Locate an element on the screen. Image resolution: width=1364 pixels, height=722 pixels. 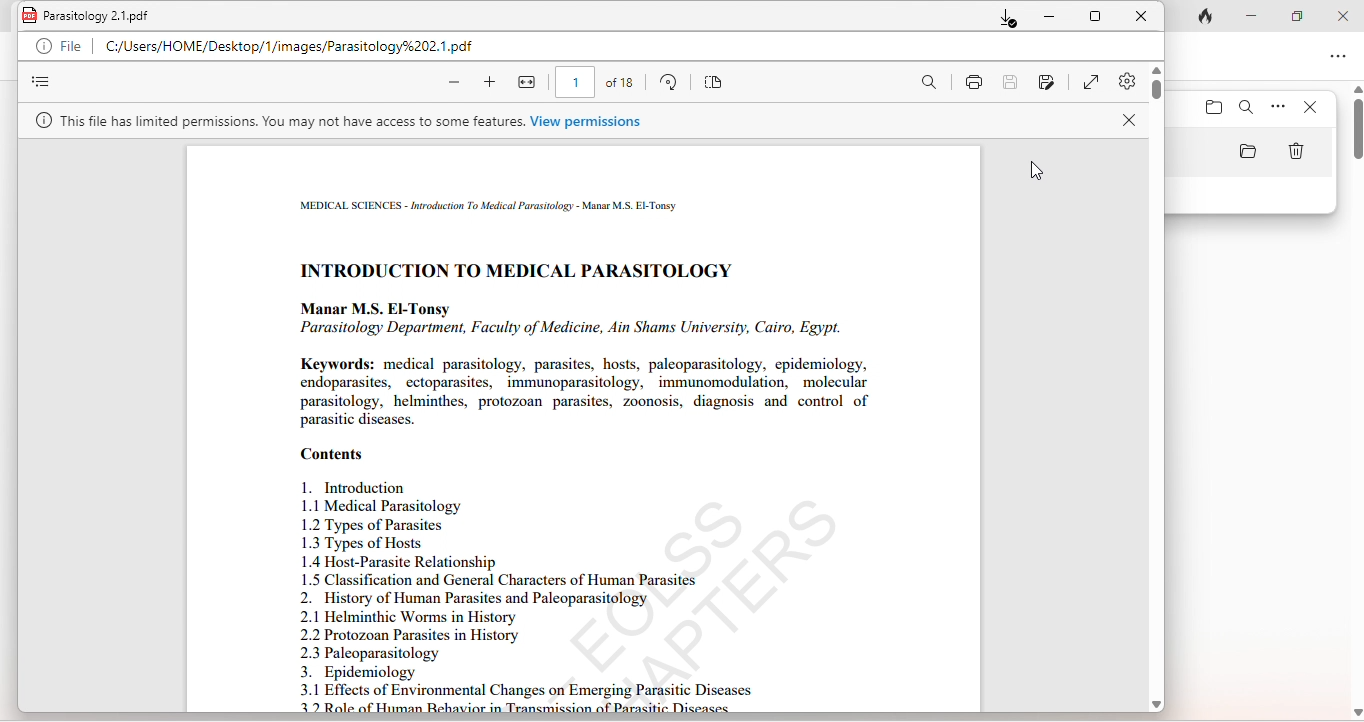
Contents

1. Introduction

1.1 Medical Parasitology

1.2 Types of Parasites

1.3 Types of Hosts

1.4 Host-Parasite Relationship

1.5 Classification and General Characters of Human Parasites
2.” History of Human Parasites and Paleoparasitology

2.1 Helminthic Worms in History

2.2 Protozoan Parasites in History

2.3 Paleoparasitology

3. Epidemiology

3.1 Effects of Environmental Changes osf EmergingiPatésitic Diseases is located at coordinates (544, 578).